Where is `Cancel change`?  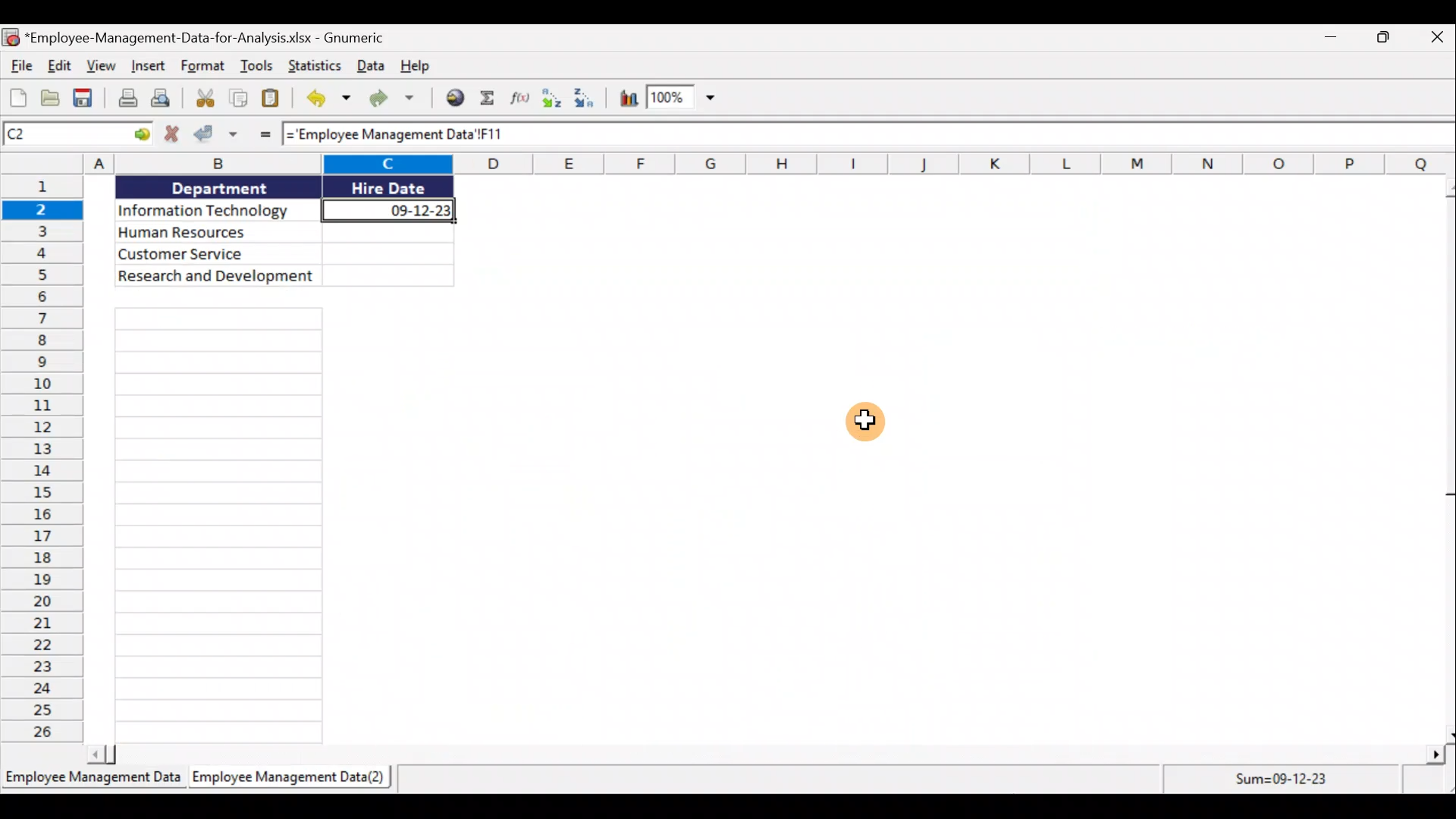
Cancel change is located at coordinates (171, 136).